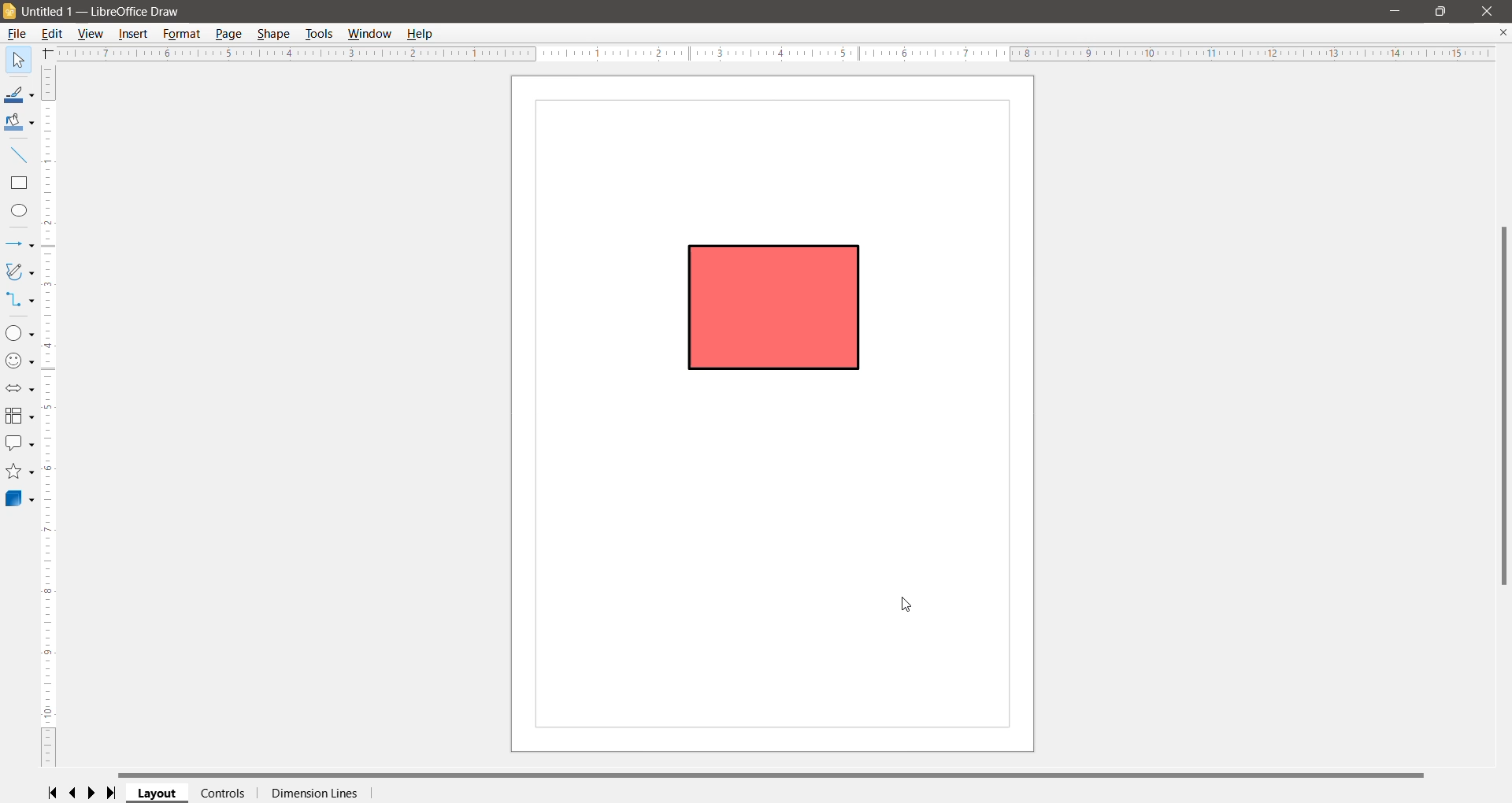  I want to click on Application Logo, so click(9, 13).